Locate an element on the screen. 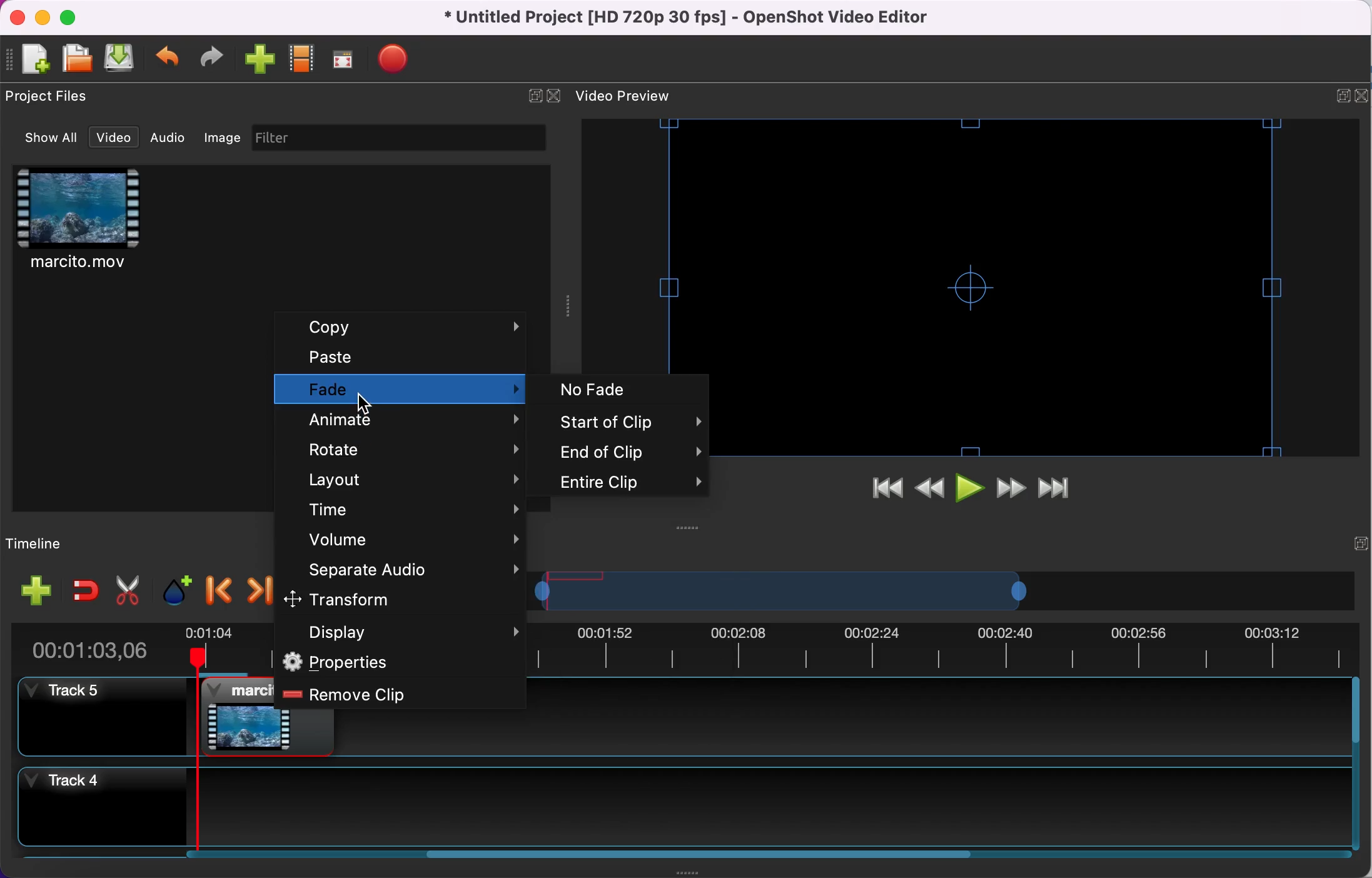 The image size is (1372, 878). timeline is located at coordinates (753, 805).